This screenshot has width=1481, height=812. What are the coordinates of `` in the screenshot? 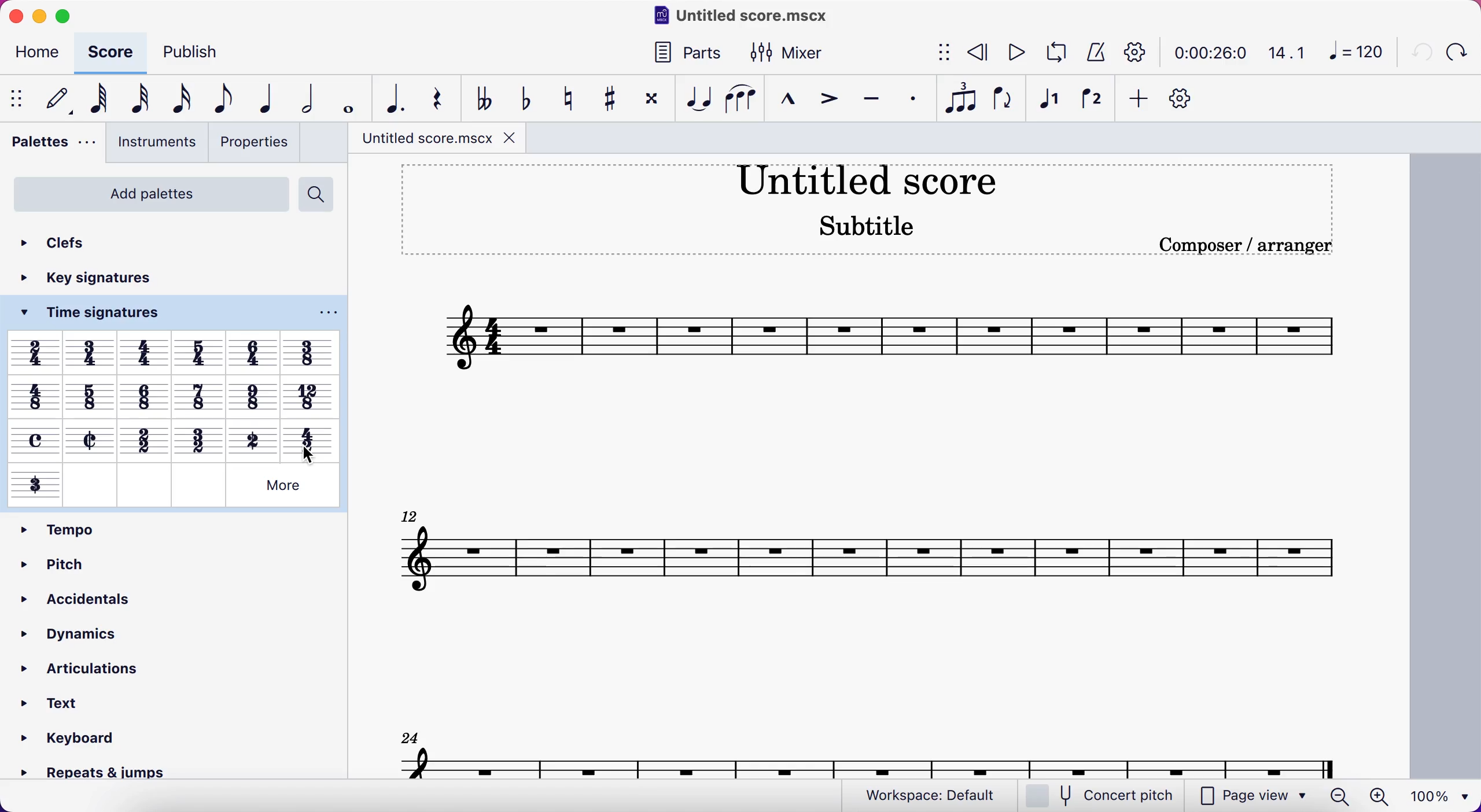 It's located at (200, 353).